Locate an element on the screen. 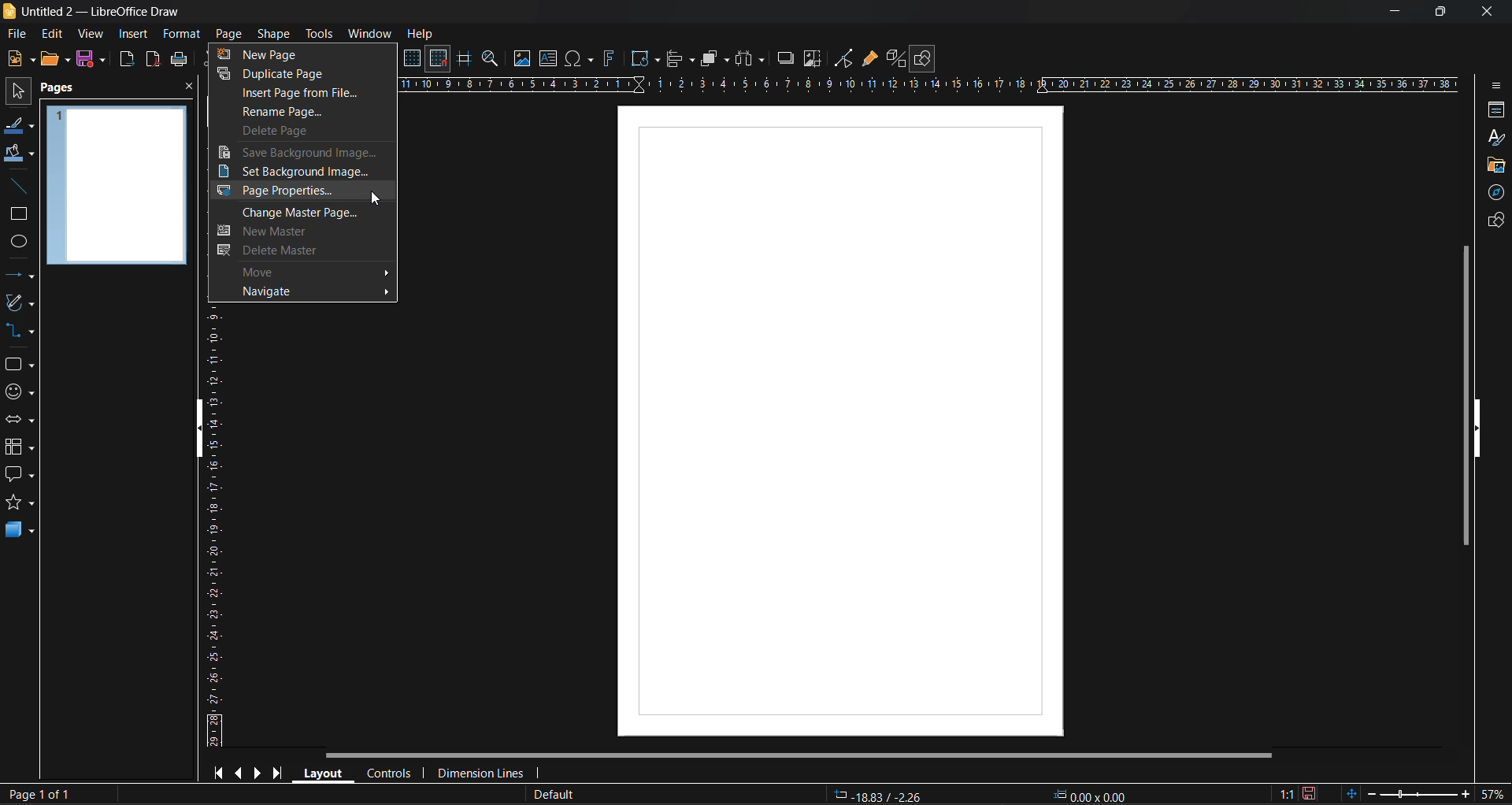  fill color is located at coordinates (18, 154).